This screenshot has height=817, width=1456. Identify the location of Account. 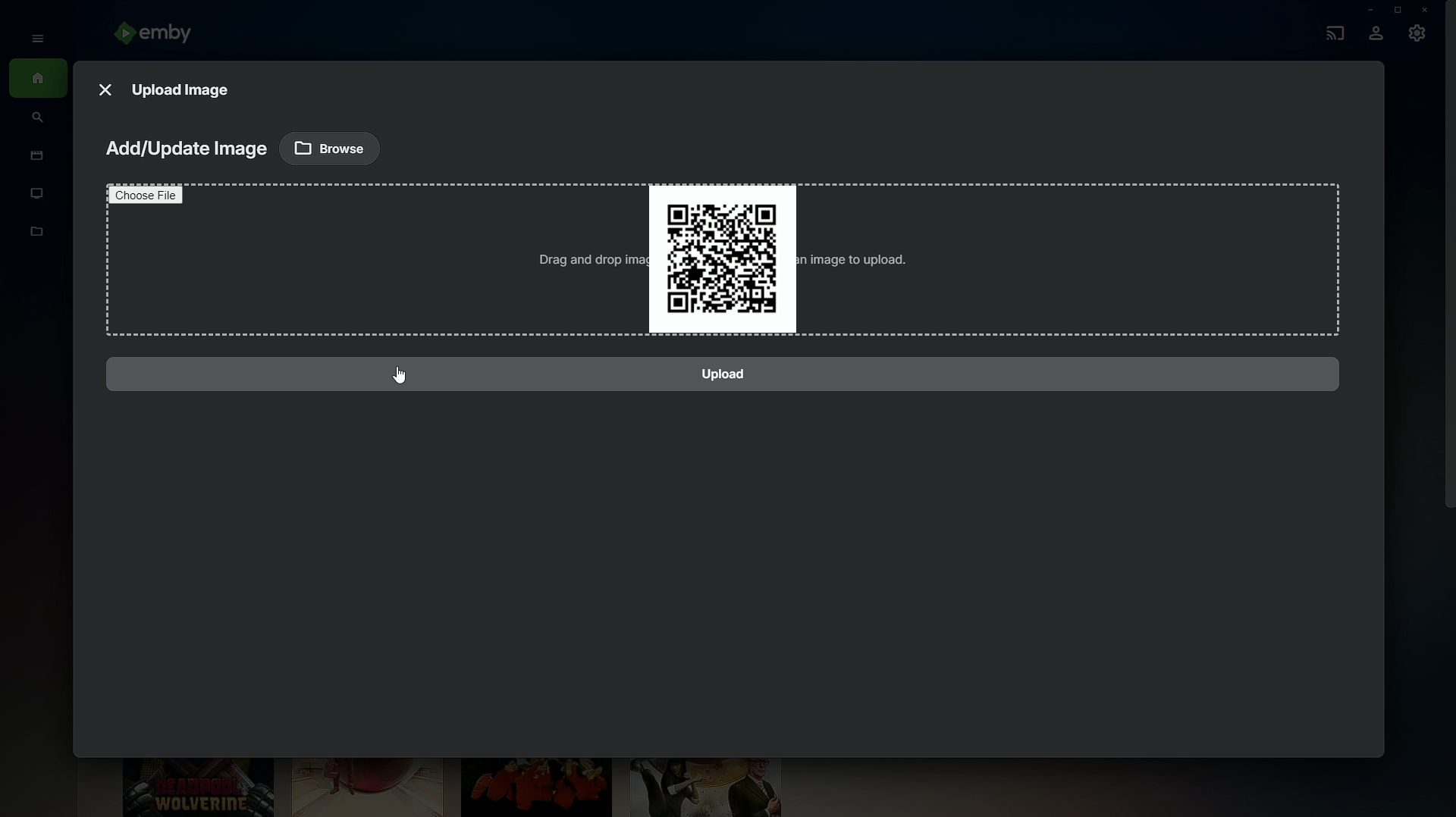
(1376, 35).